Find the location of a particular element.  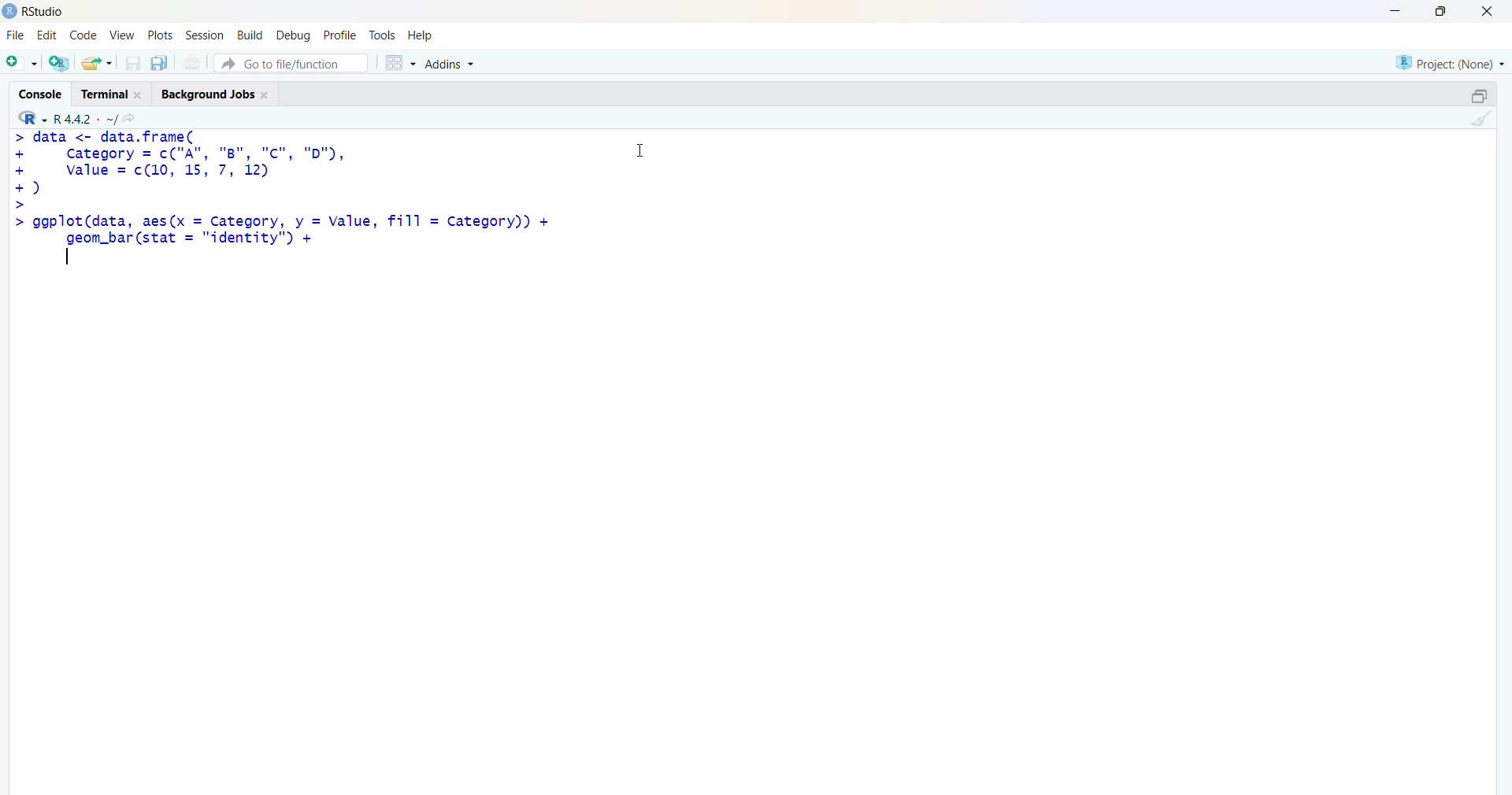

grid view is located at coordinates (399, 62).